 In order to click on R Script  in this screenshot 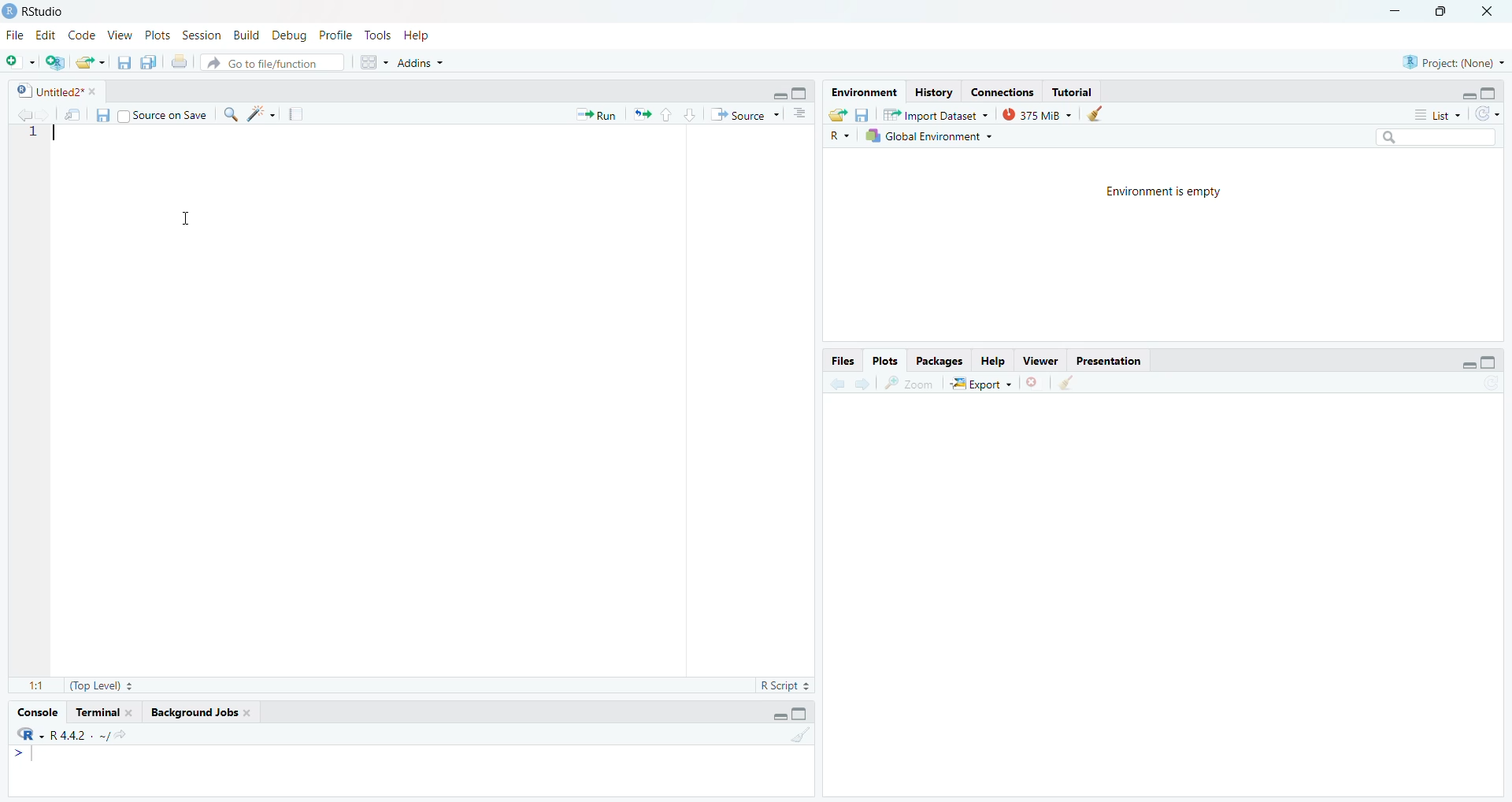, I will do `click(781, 686)`.